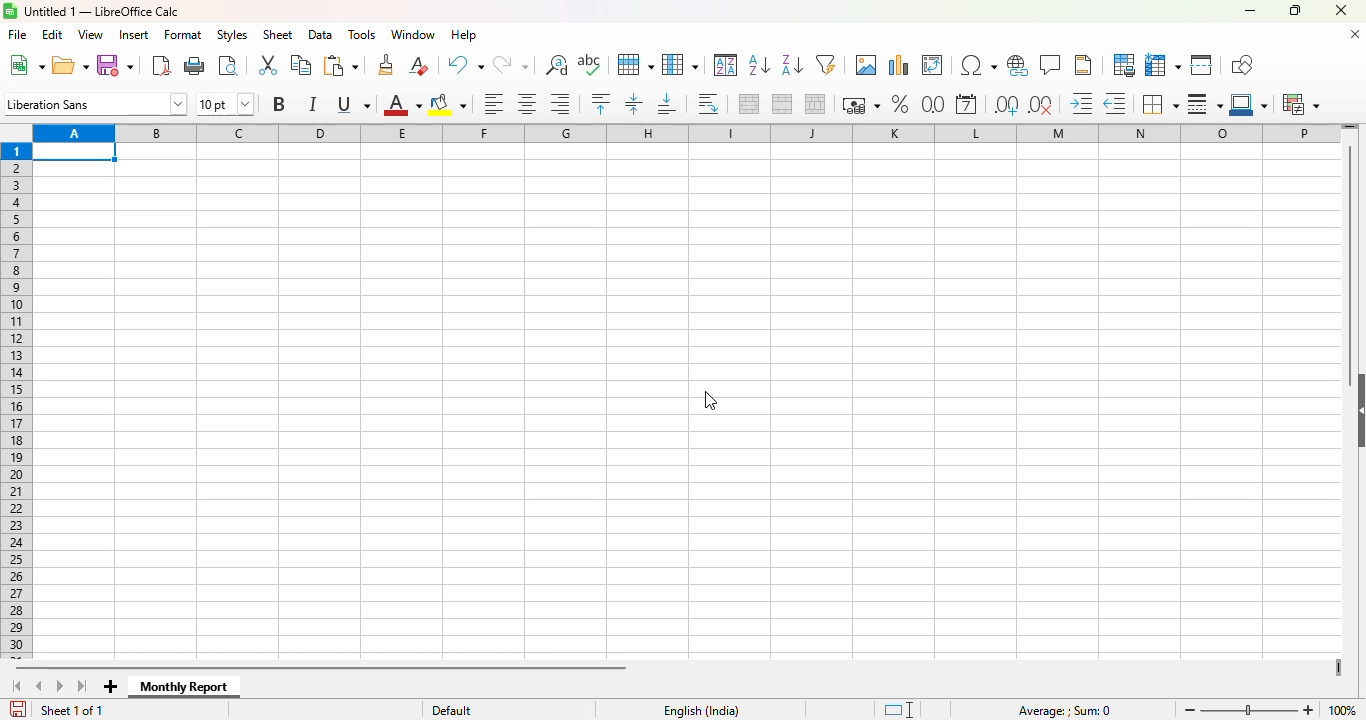 The image size is (1366, 720). Describe the element at coordinates (1309, 710) in the screenshot. I see `zoom in` at that location.